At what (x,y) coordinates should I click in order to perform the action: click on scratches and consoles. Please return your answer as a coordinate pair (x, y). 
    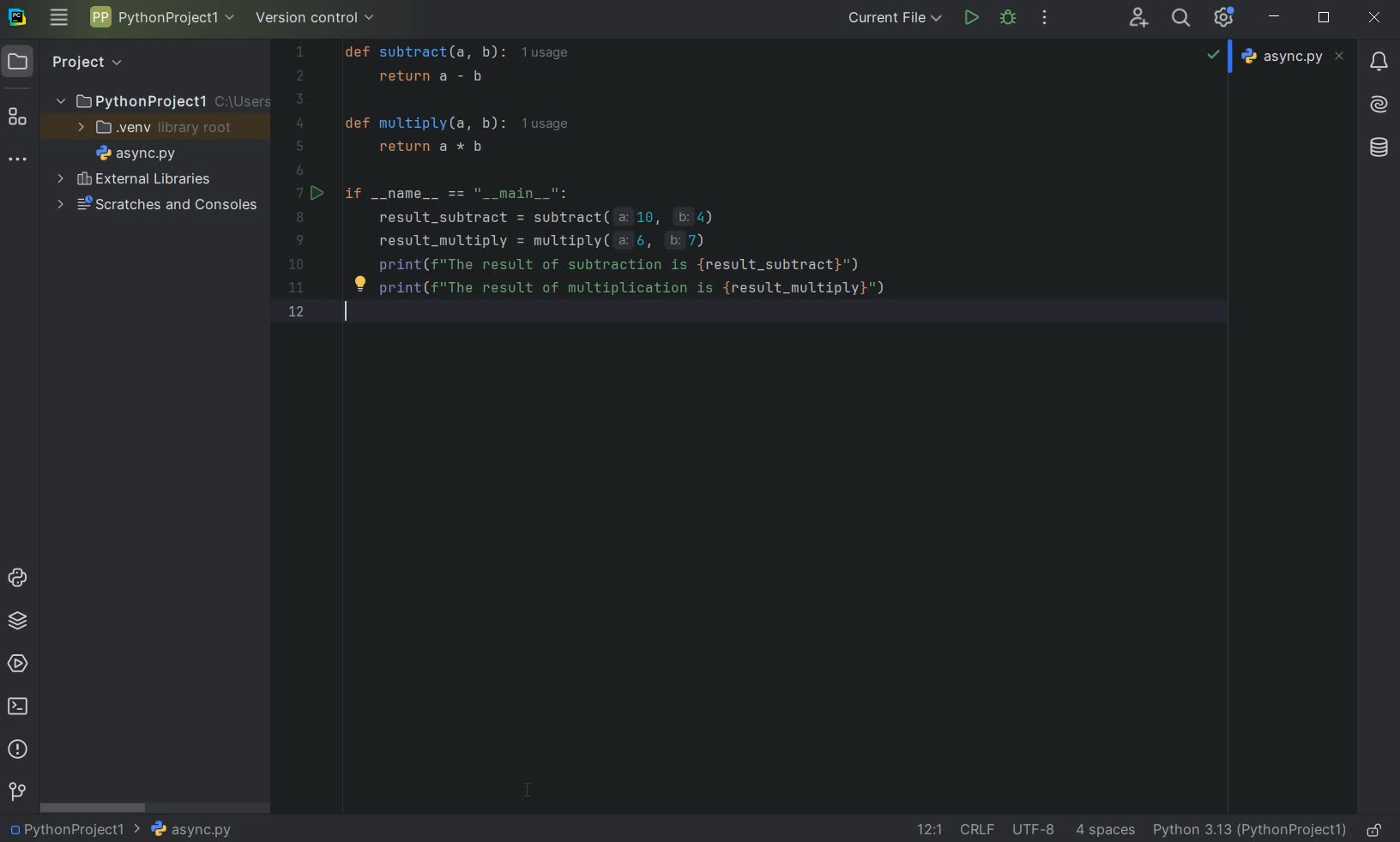
    Looking at the image, I should click on (160, 207).